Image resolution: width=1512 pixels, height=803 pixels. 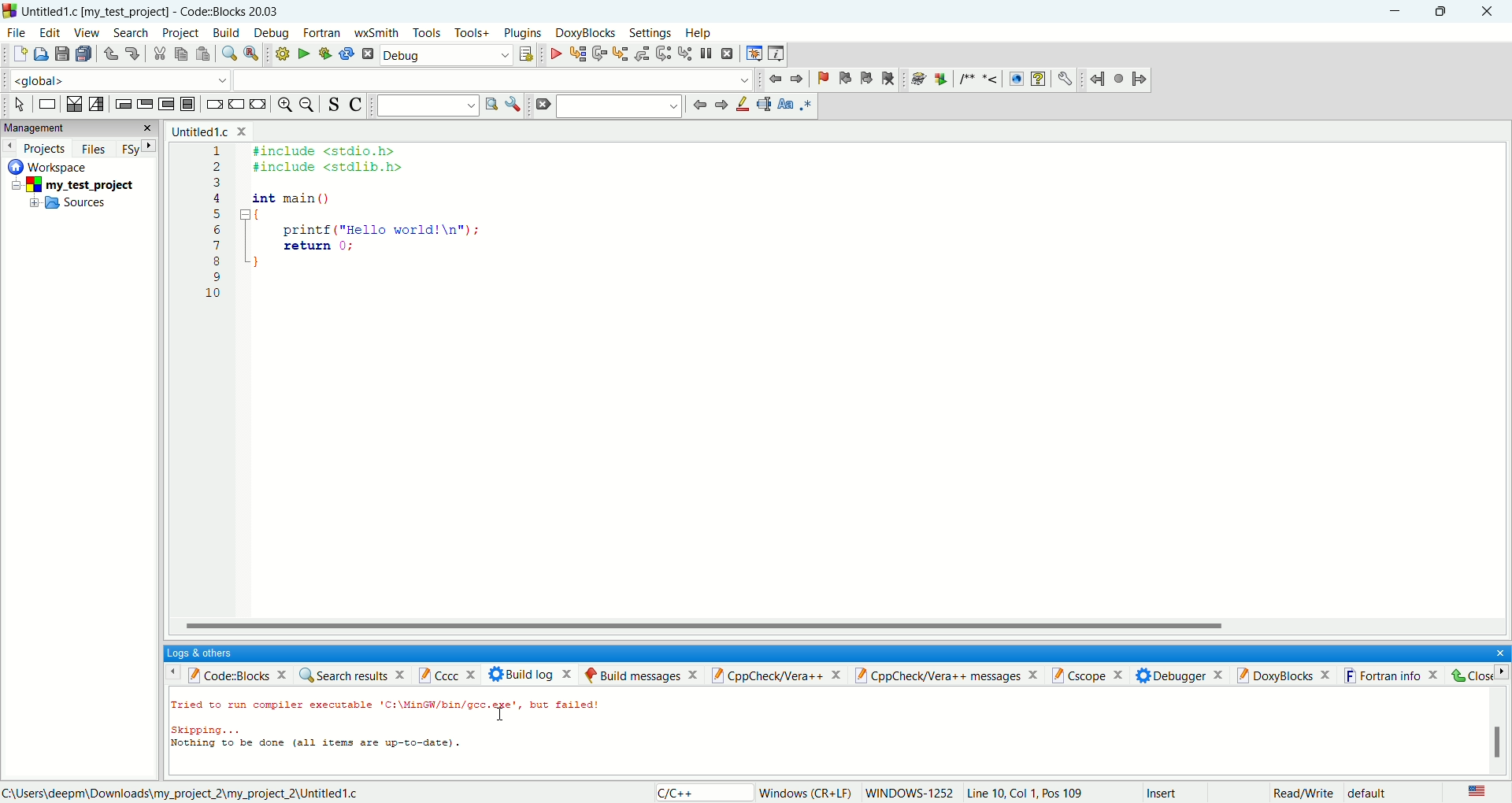 I want to click on match case, so click(x=785, y=104).